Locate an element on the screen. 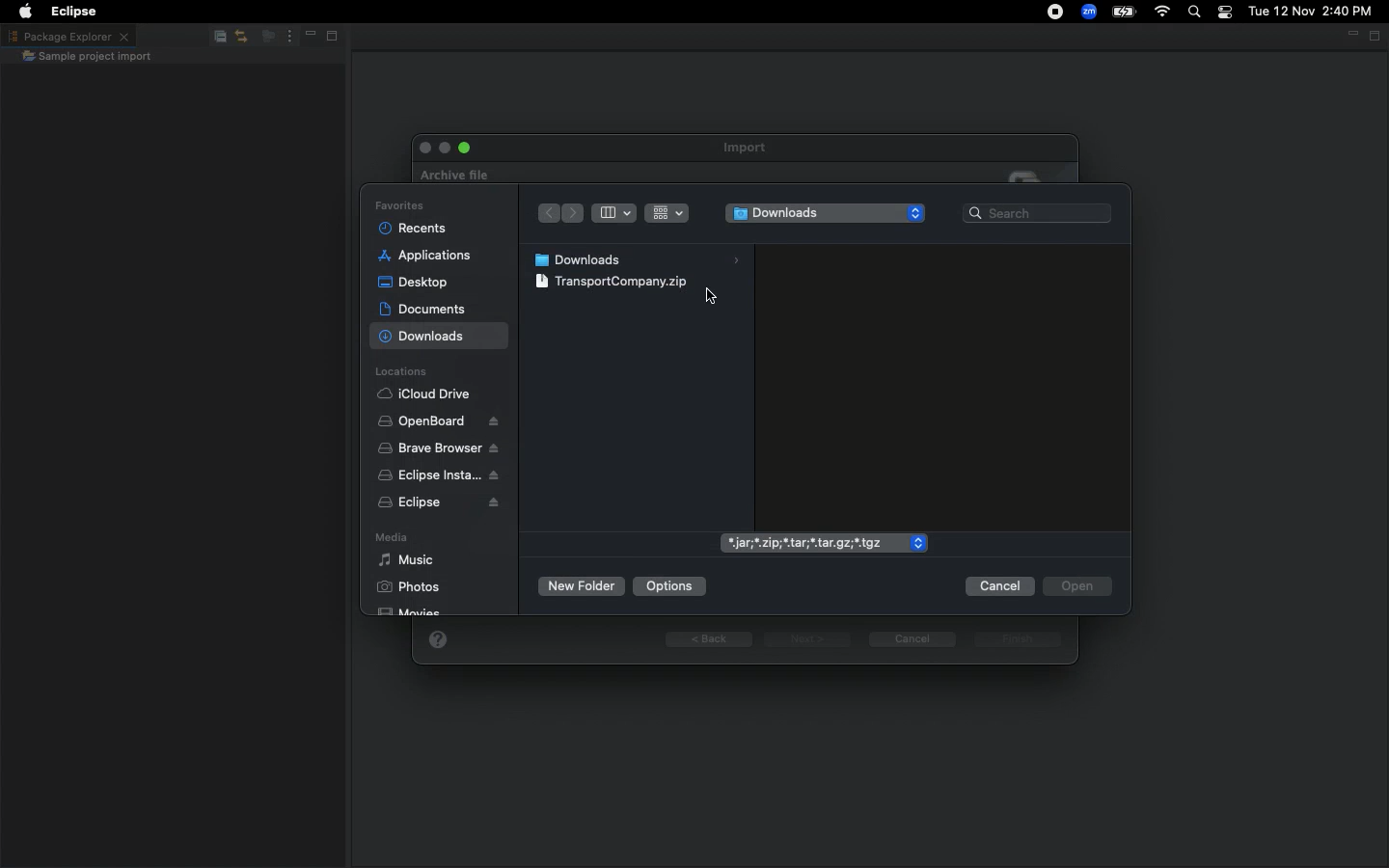 The height and width of the screenshot is (868, 1389). OpenBoard is located at coordinates (438, 421).